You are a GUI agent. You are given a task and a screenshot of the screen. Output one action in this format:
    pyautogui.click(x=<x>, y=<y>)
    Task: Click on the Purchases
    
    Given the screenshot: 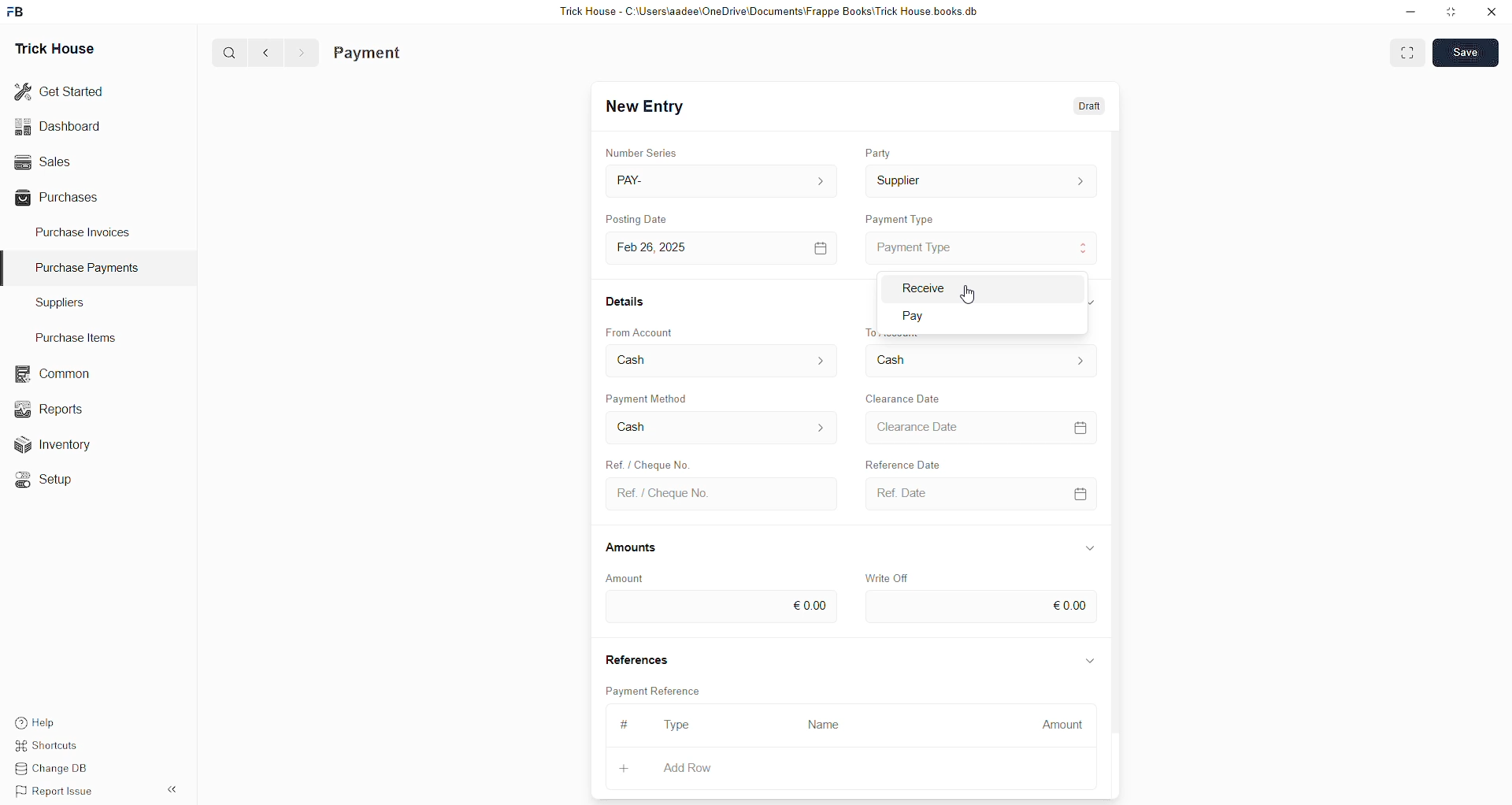 What is the action you would take?
    pyautogui.click(x=60, y=199)
    